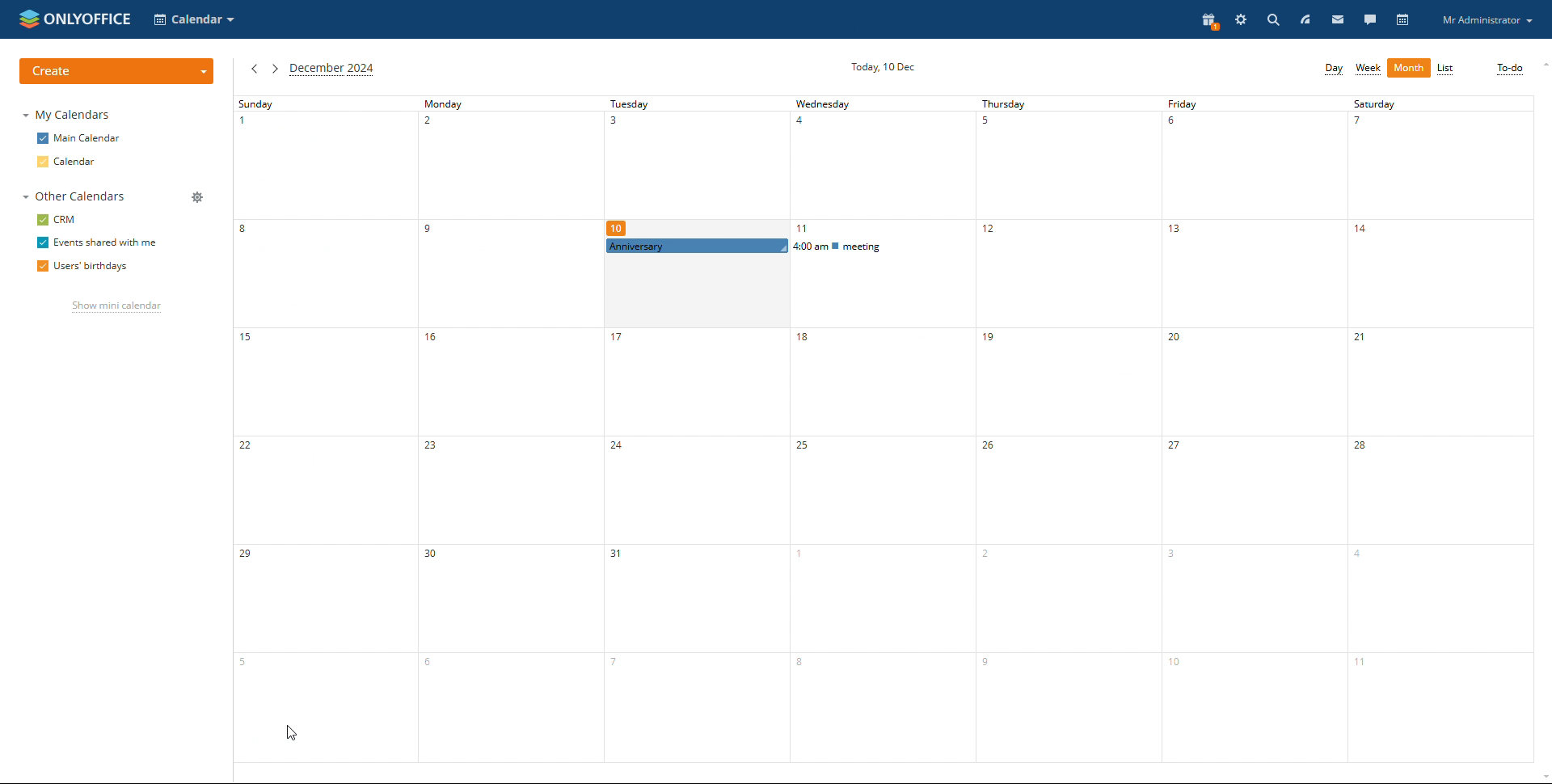  What do you see at coordinates (509, 428) in the screenshot?
I see `monday` at bounding box center [509, 428].